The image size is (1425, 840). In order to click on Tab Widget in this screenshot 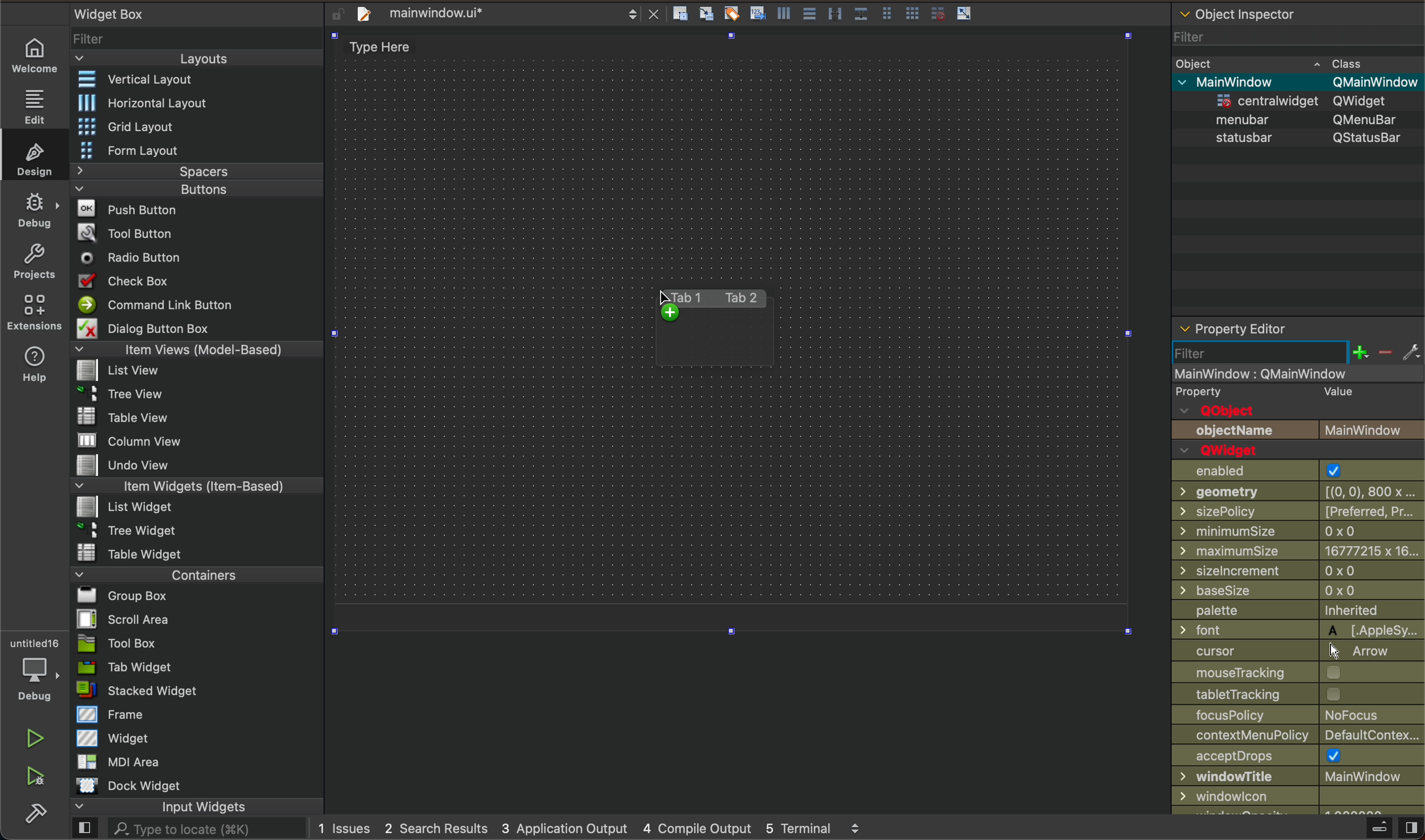, I will do `click(134, 667)`.